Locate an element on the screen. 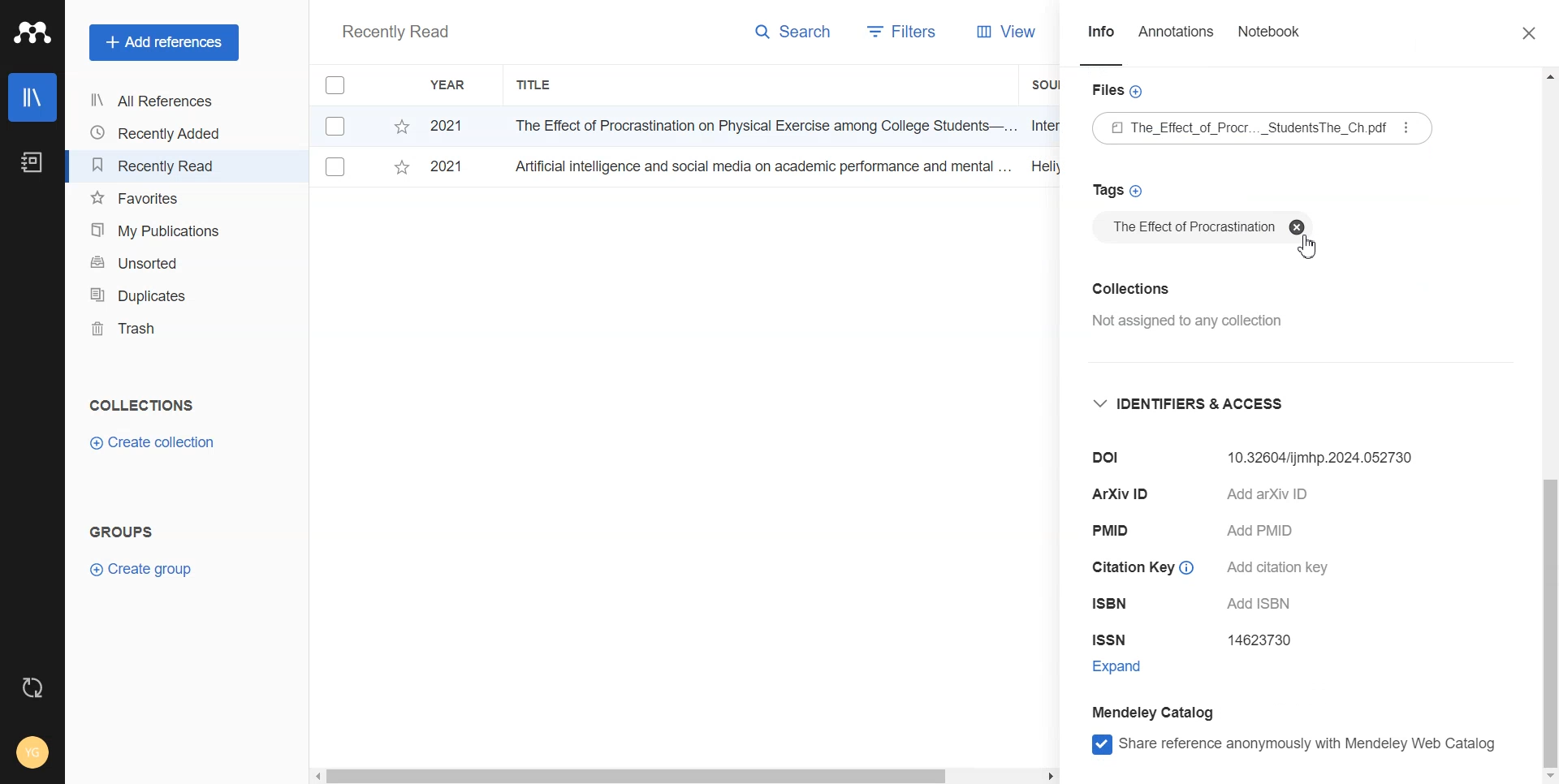 The height and width of the screenshot is (784, 1559). My Publications is located at coordinates (159, 230).